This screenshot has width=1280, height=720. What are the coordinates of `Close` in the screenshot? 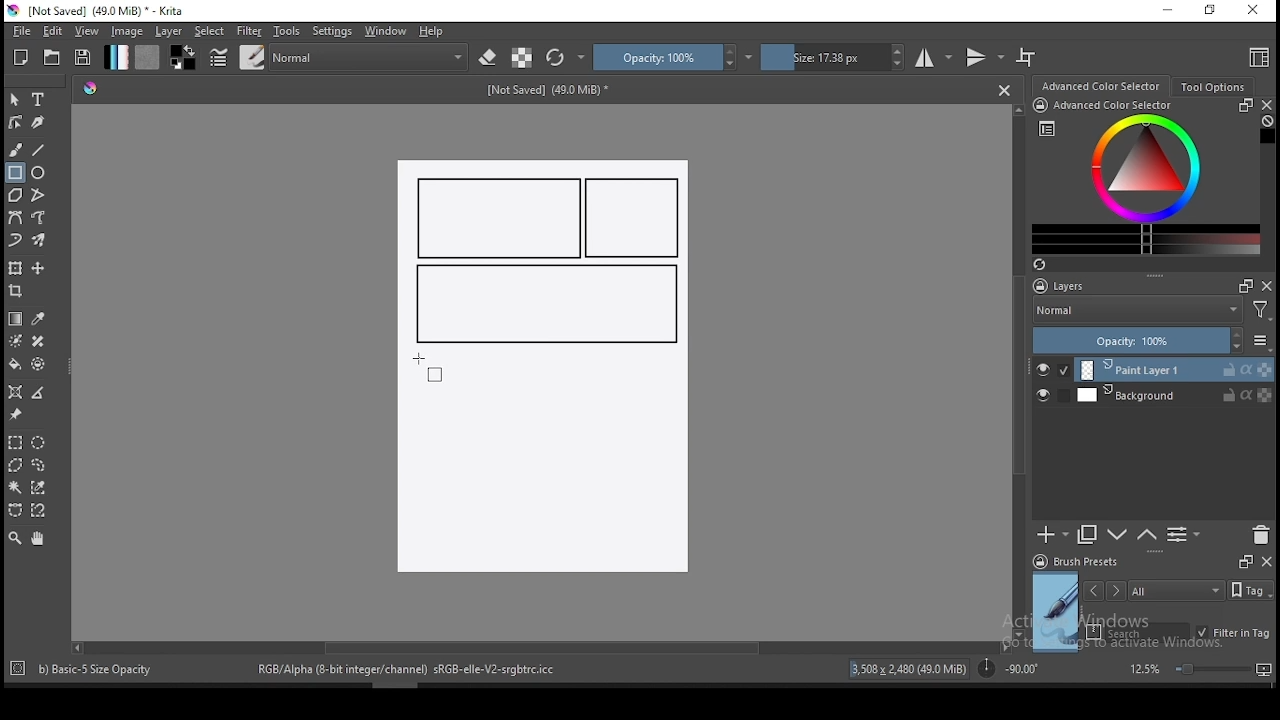 It's located at (1004, 89).